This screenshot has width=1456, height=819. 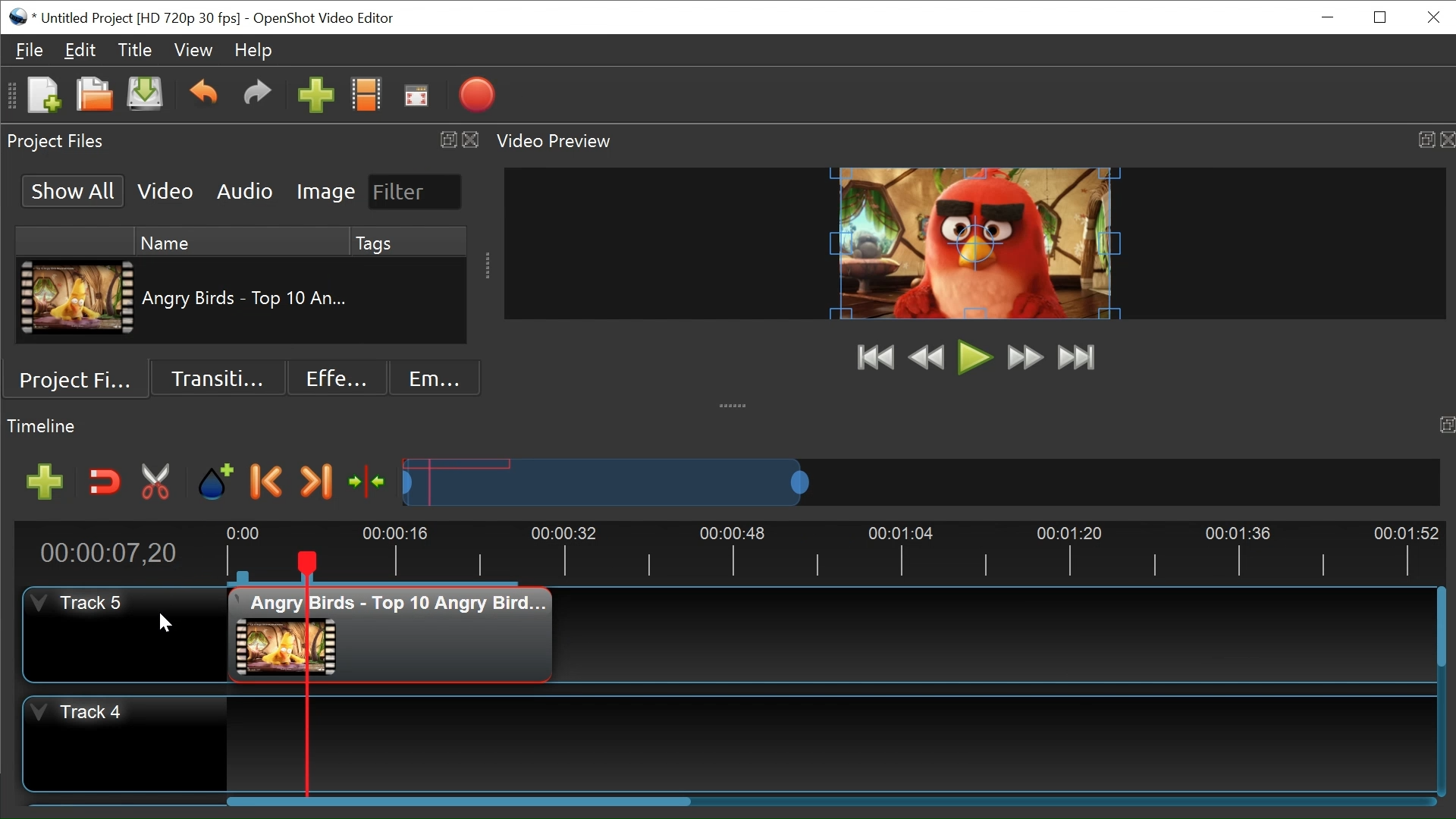 I want to click on previous marker, so click(x=269, y=481).